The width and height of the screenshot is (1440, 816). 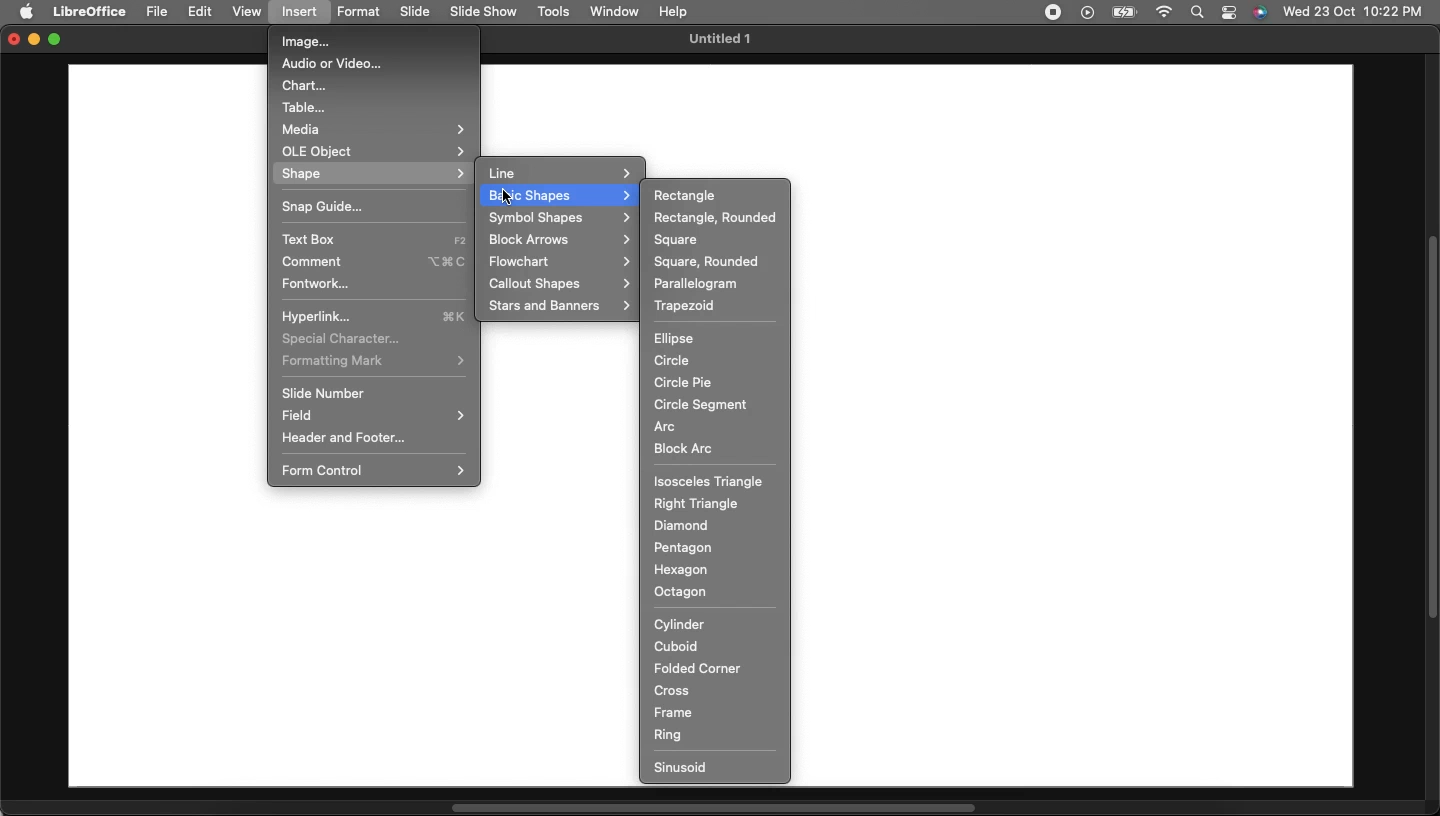 I want to click on Sinusoid, so click(x=683, y=768).